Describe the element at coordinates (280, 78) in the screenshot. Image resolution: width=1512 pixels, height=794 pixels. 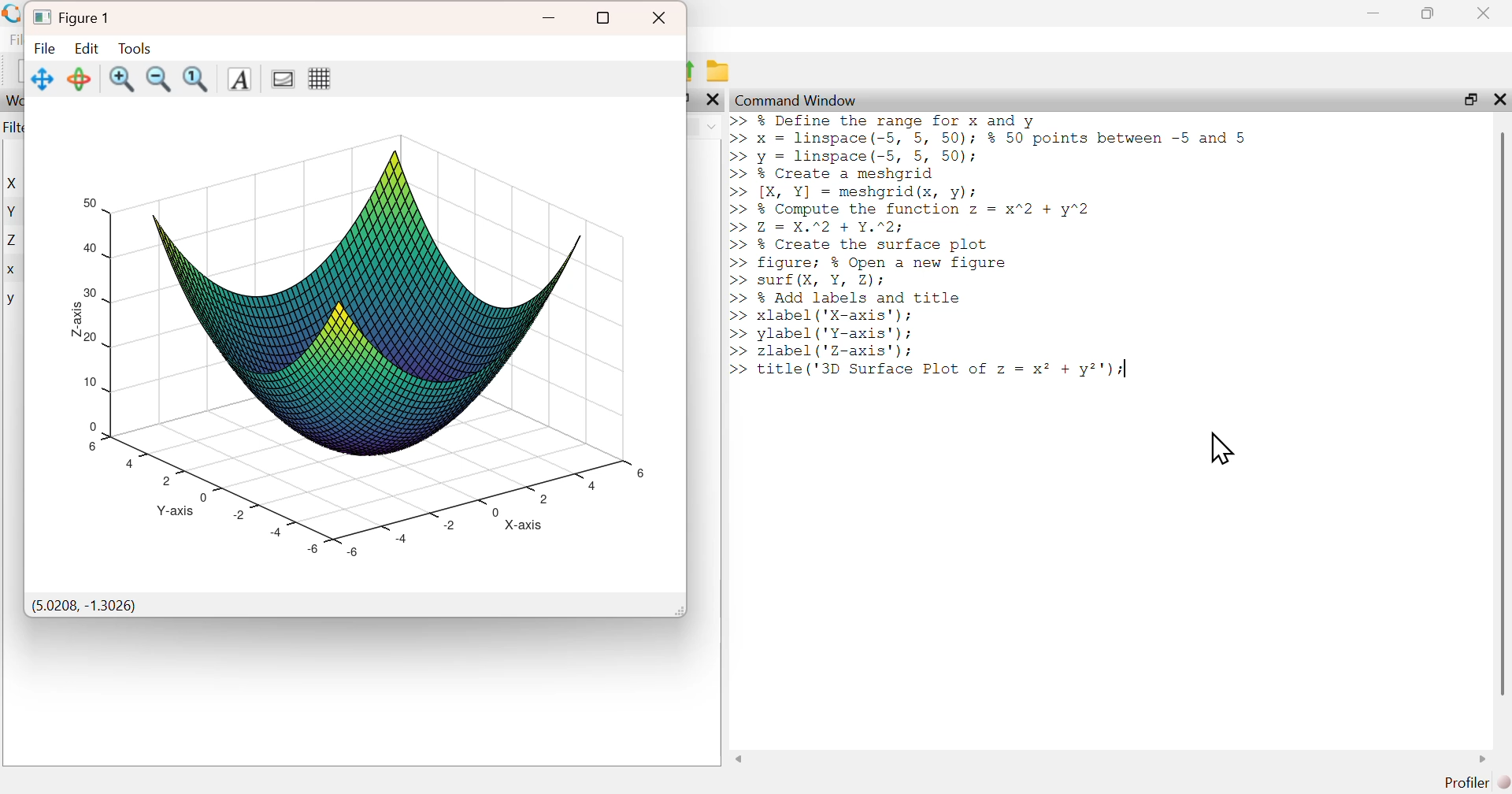
I see `Gradient` at that location.